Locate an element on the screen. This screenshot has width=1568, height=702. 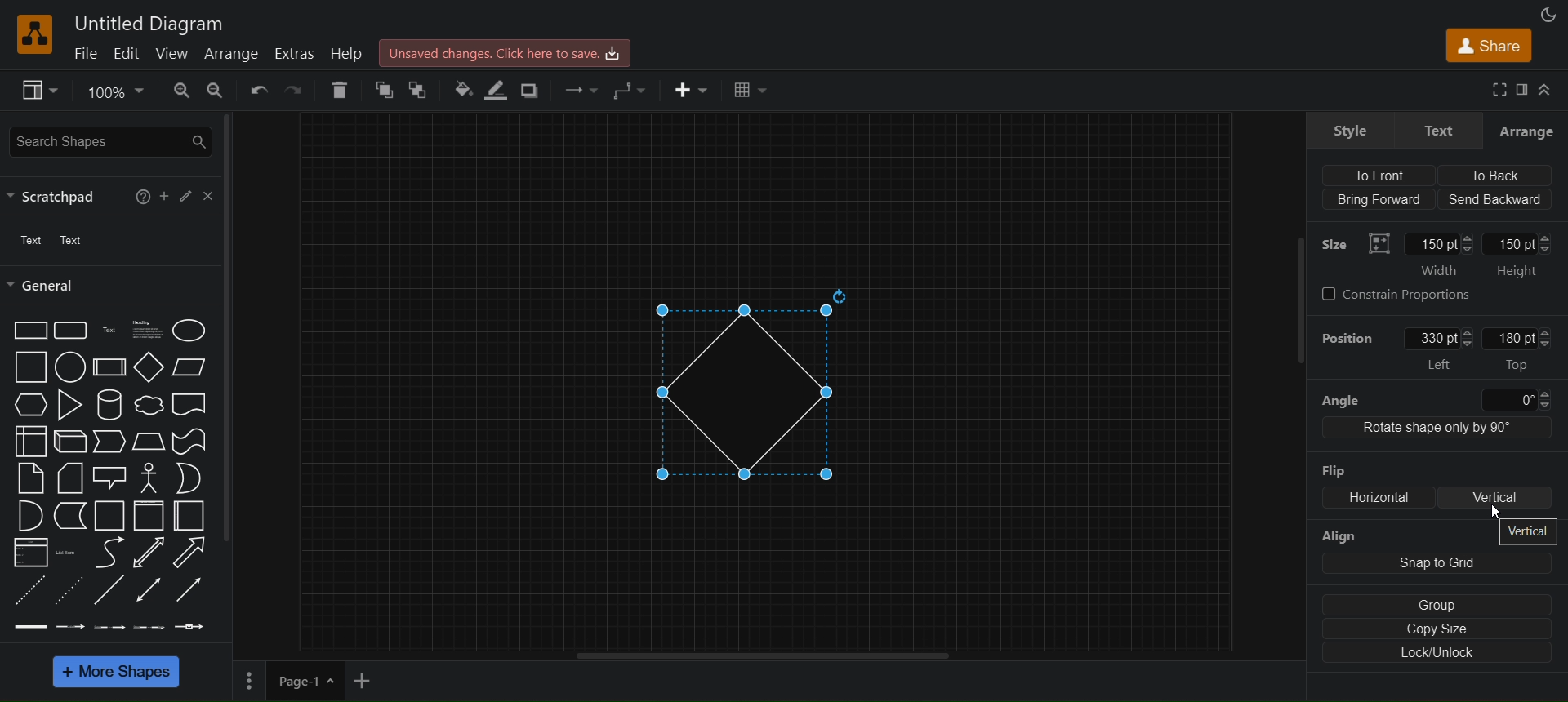
send backward is located at coordinates (1496, 198).